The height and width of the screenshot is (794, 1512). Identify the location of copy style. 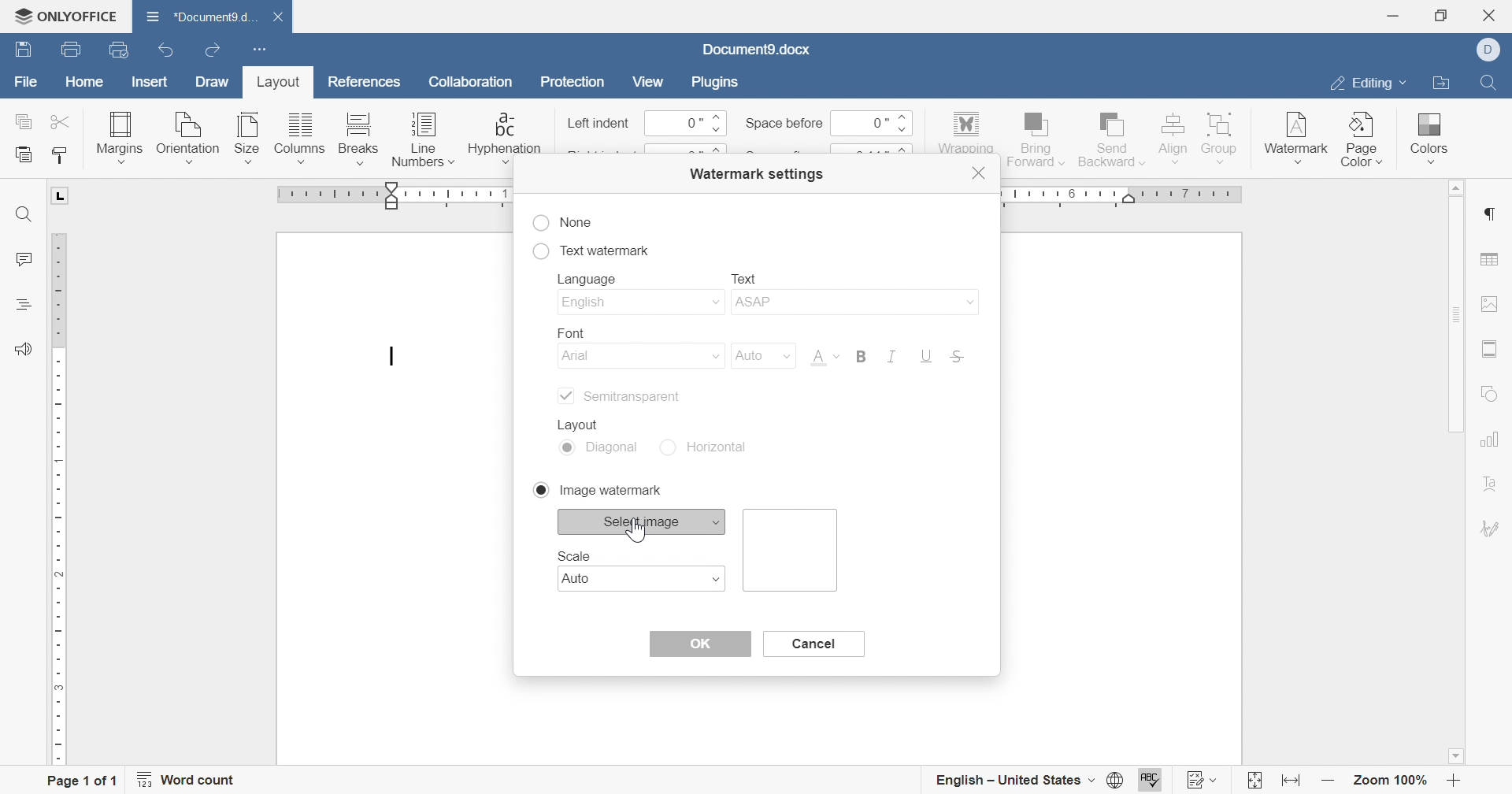
(61, 155).